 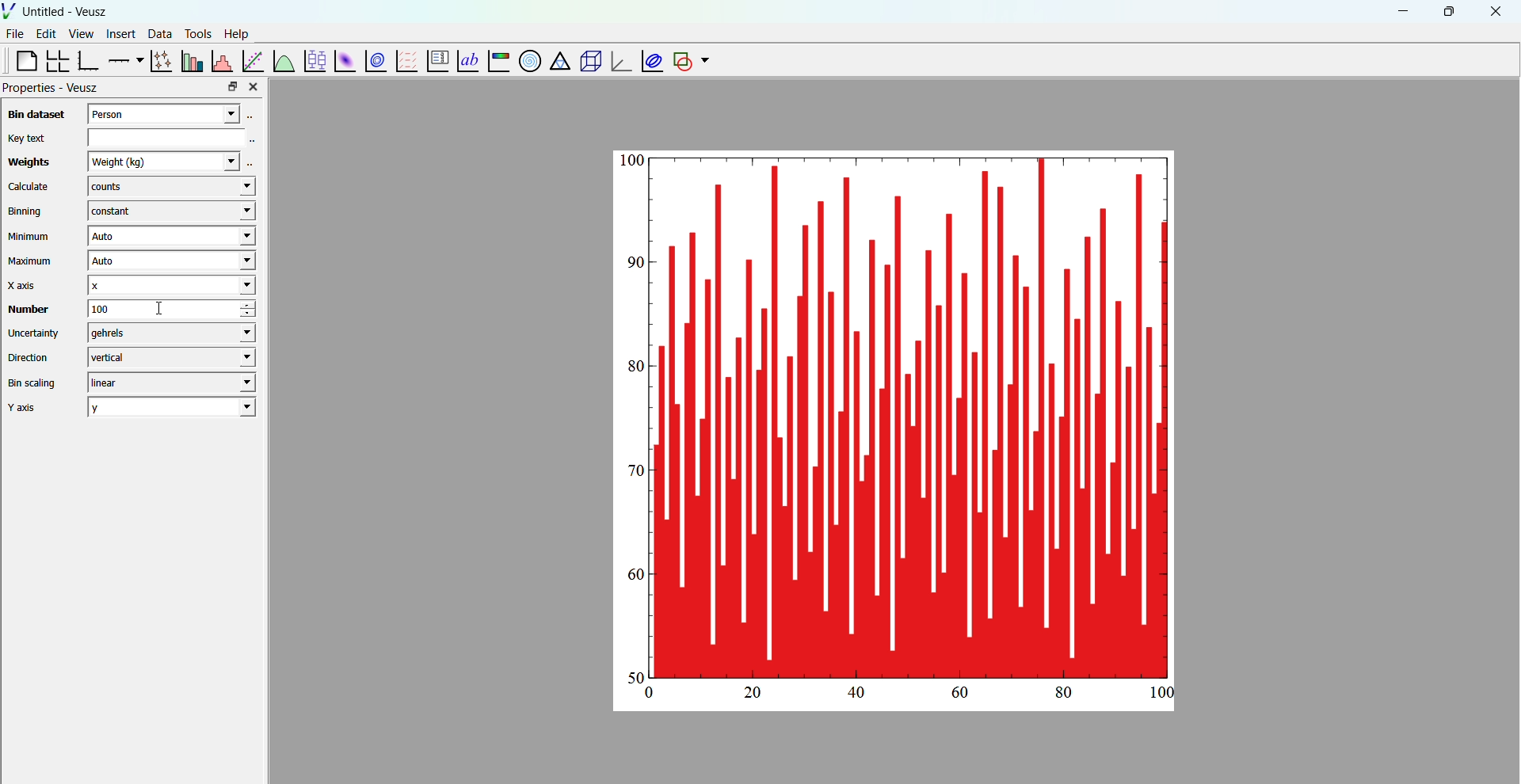 I want to click on Arrange a graph in a grid, so click(x=56, y=62).